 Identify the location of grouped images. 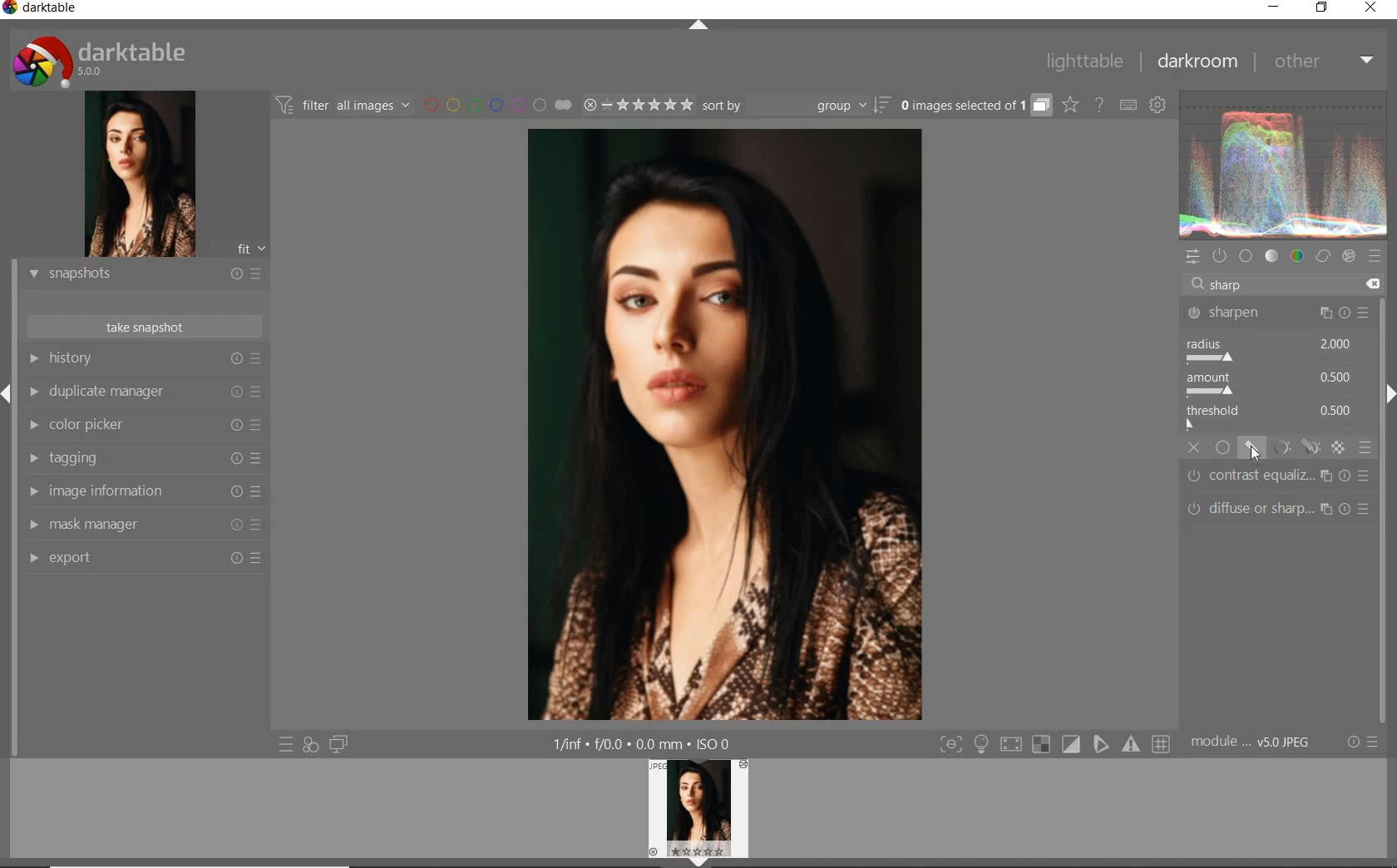
(976, 106).